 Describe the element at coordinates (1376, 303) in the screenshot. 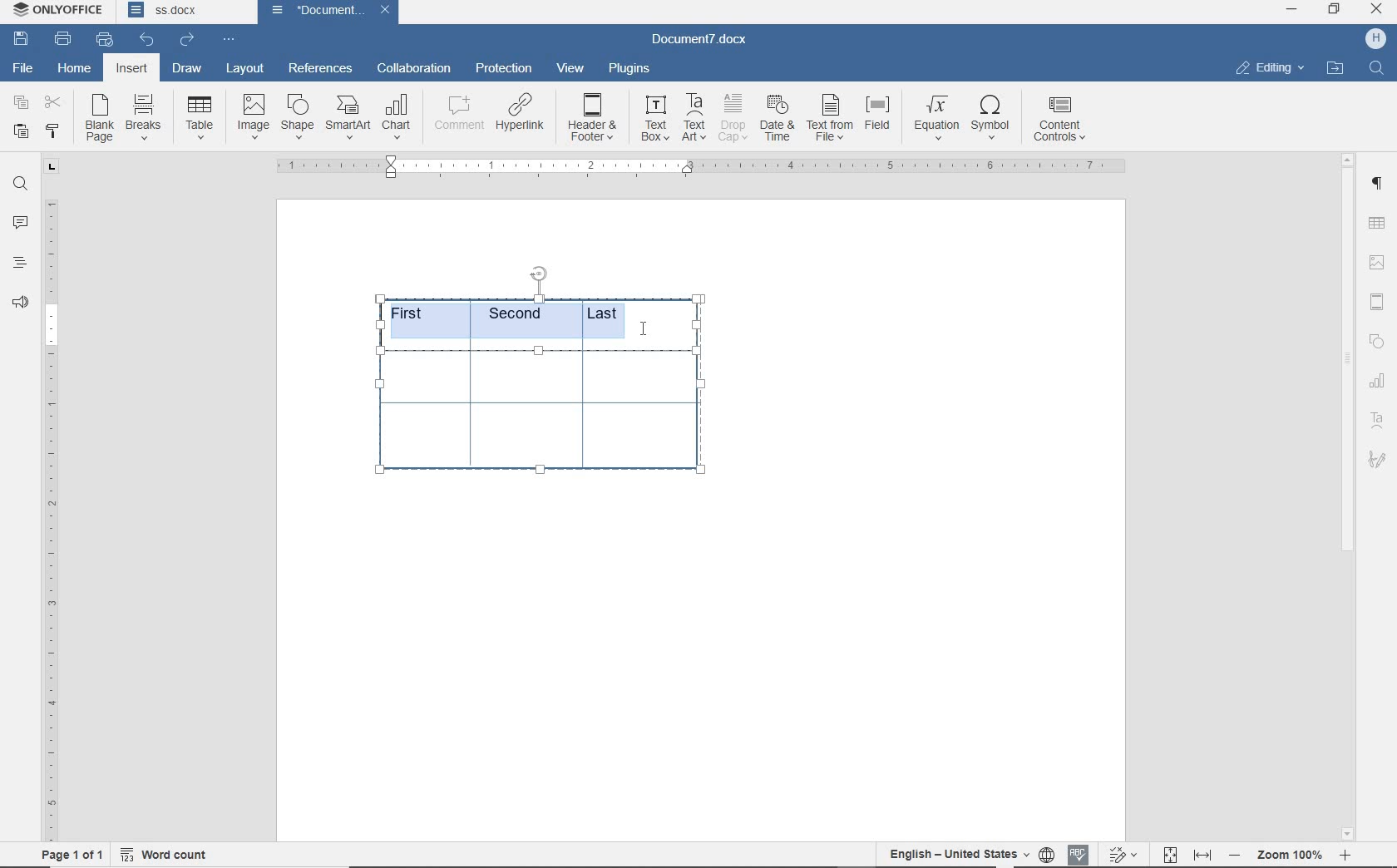

I see `HEADER & FOOTER` at that location.